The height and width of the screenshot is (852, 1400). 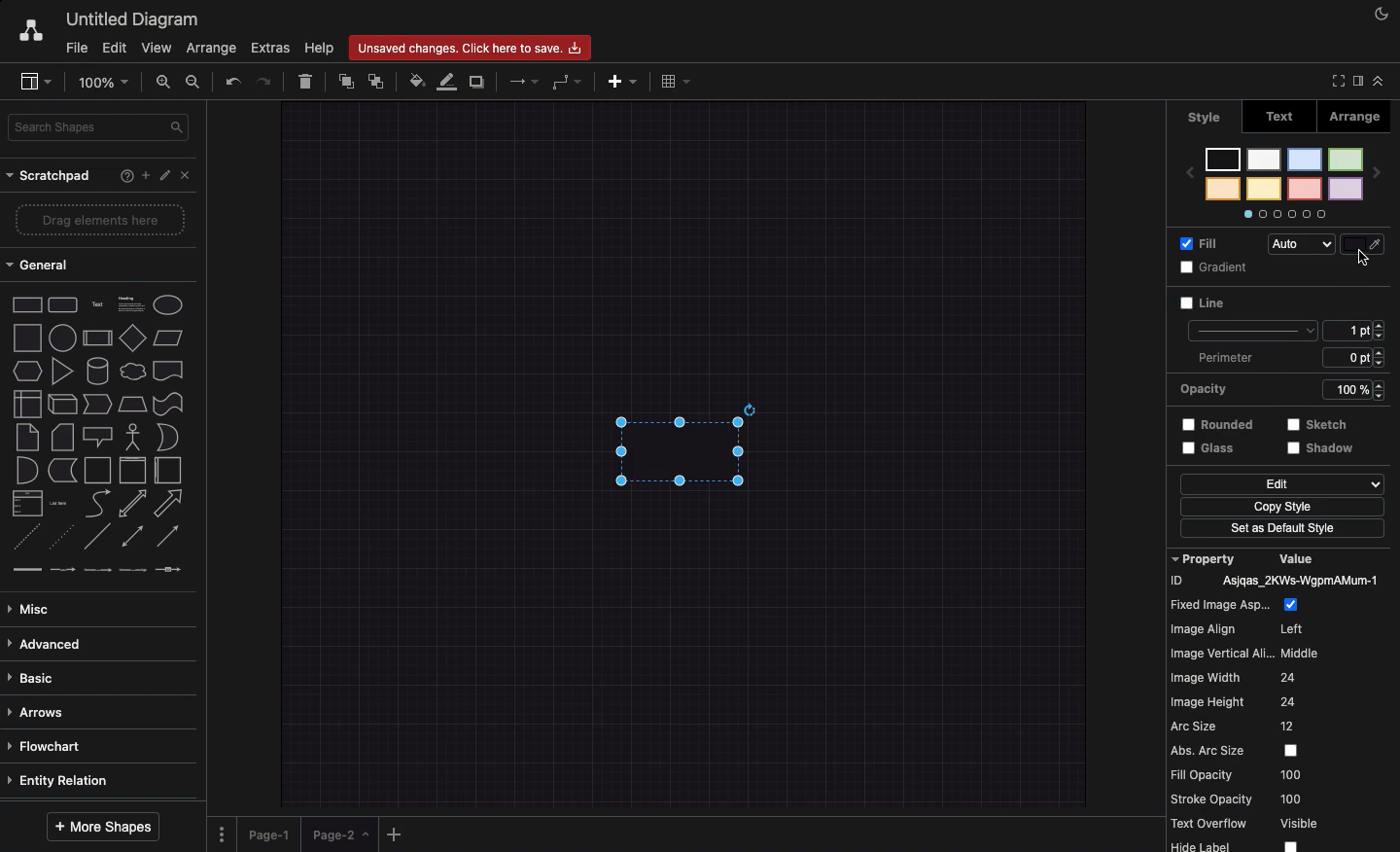 I want to click on Search shapes, so click(x=101, y=125).